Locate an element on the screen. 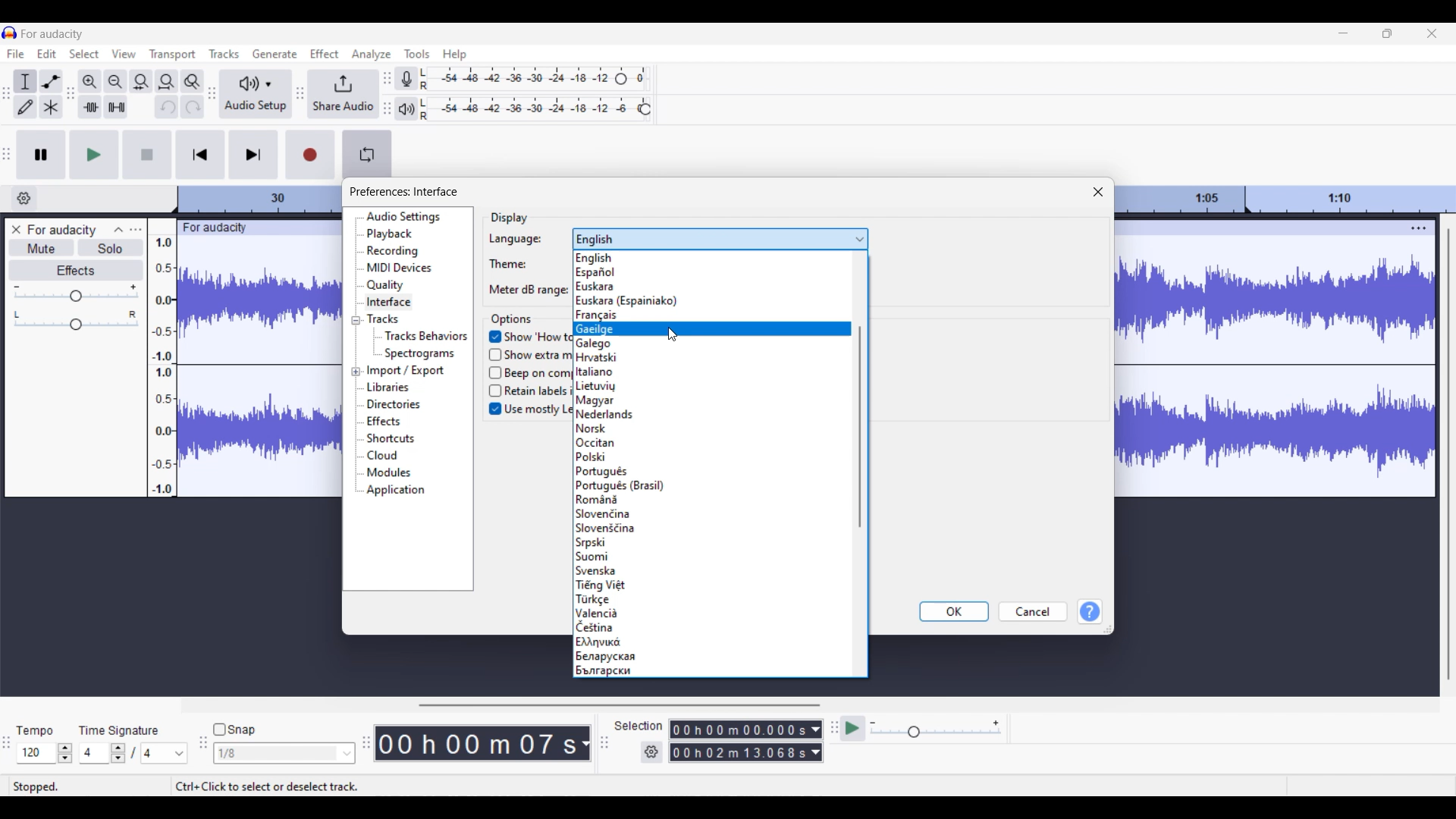  Suomi is located at coordinates (593, 556).